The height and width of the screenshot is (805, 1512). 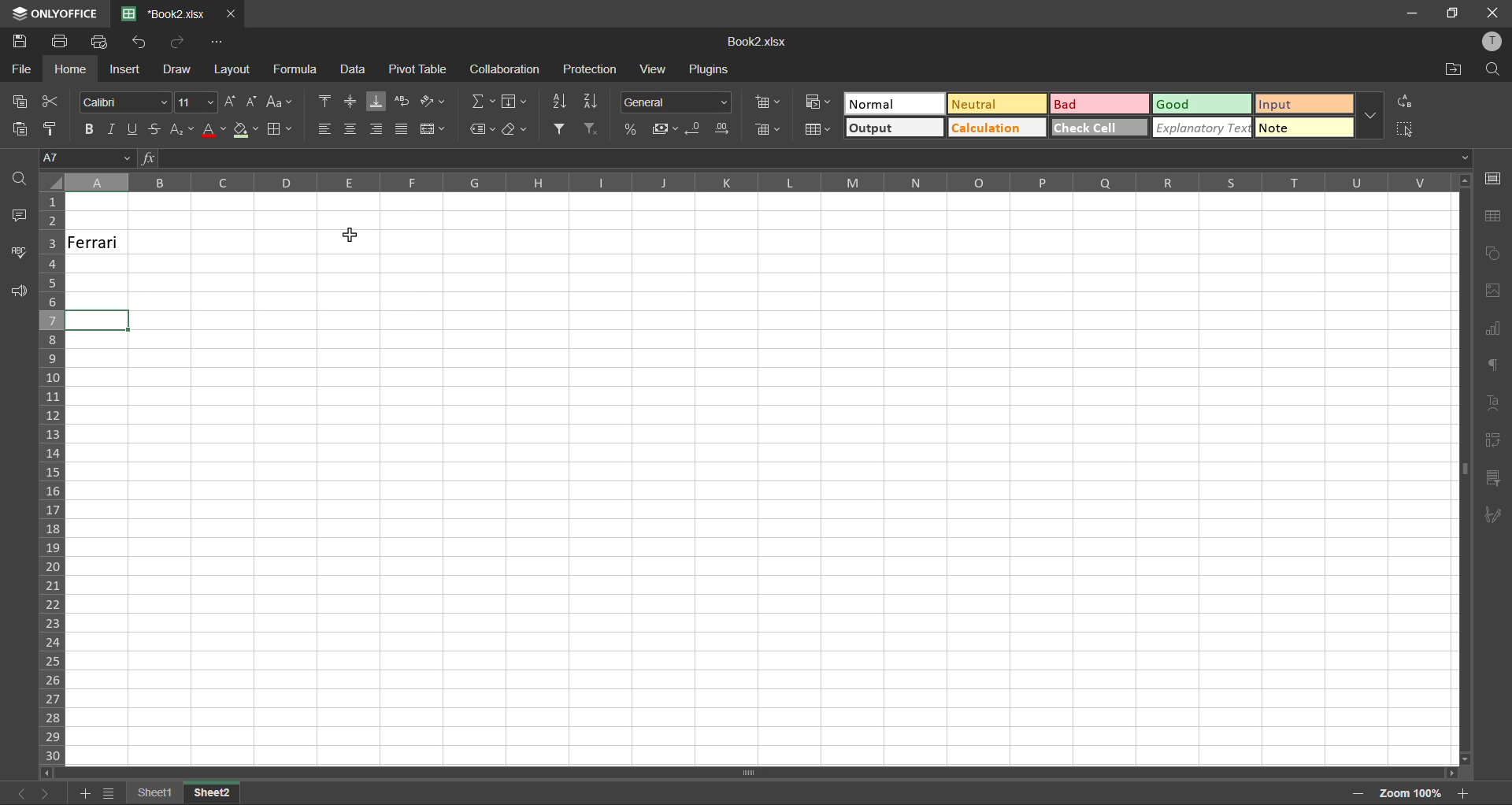 I want to click on Find, so click(x=1495, y=68).